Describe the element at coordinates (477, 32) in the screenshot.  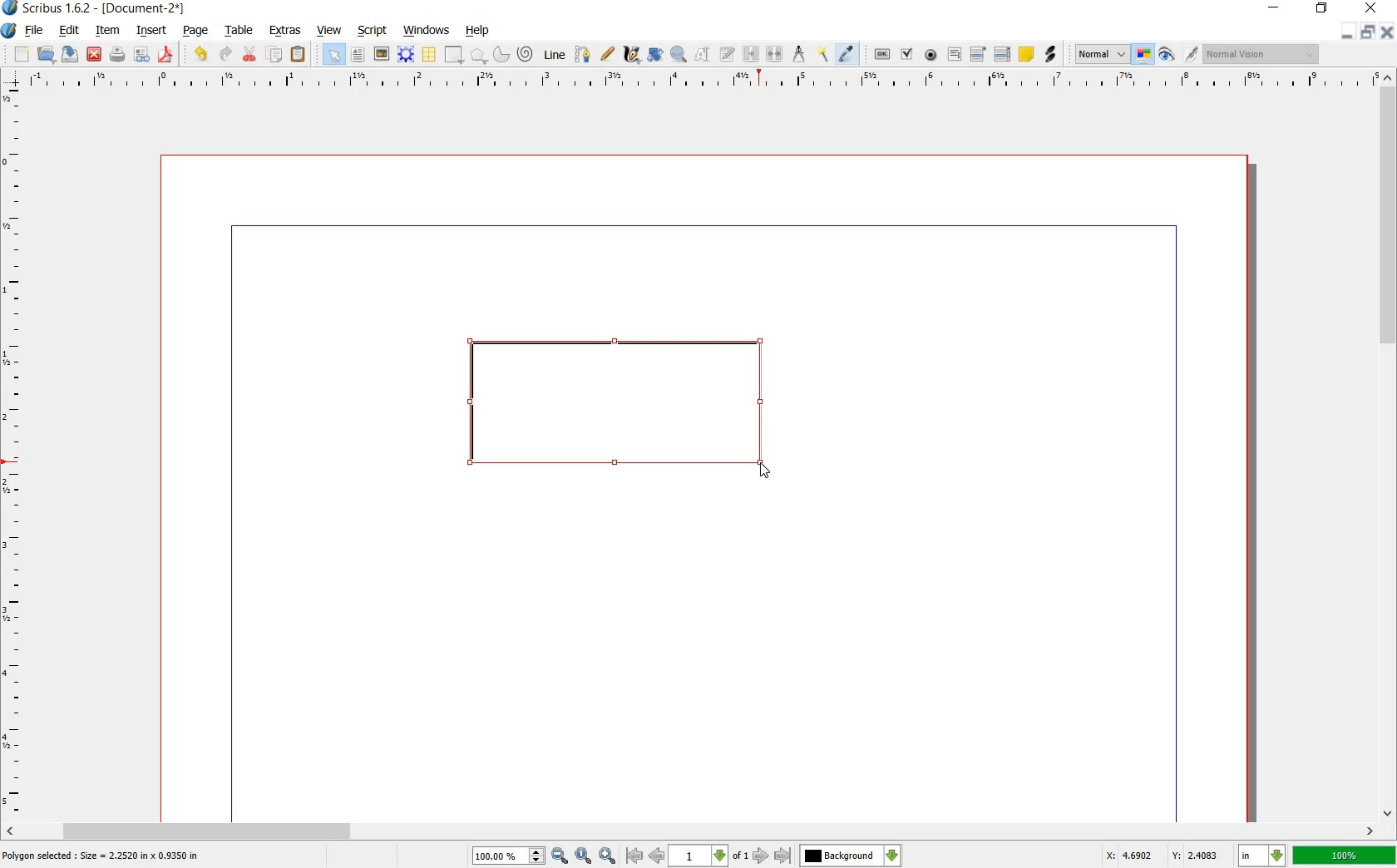
I see `HELP` at that location.